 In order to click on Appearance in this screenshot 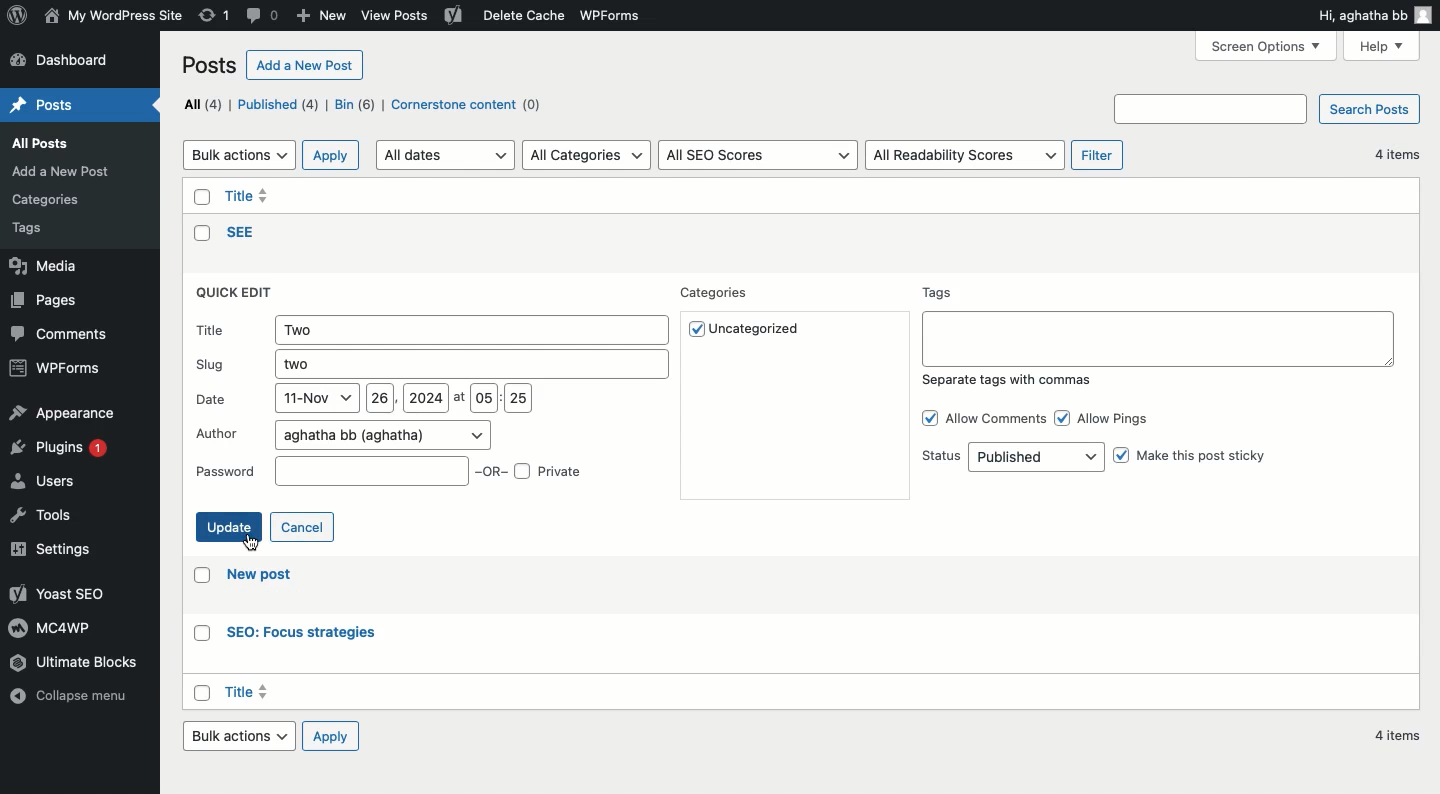, I will do `click(62, 414)`.